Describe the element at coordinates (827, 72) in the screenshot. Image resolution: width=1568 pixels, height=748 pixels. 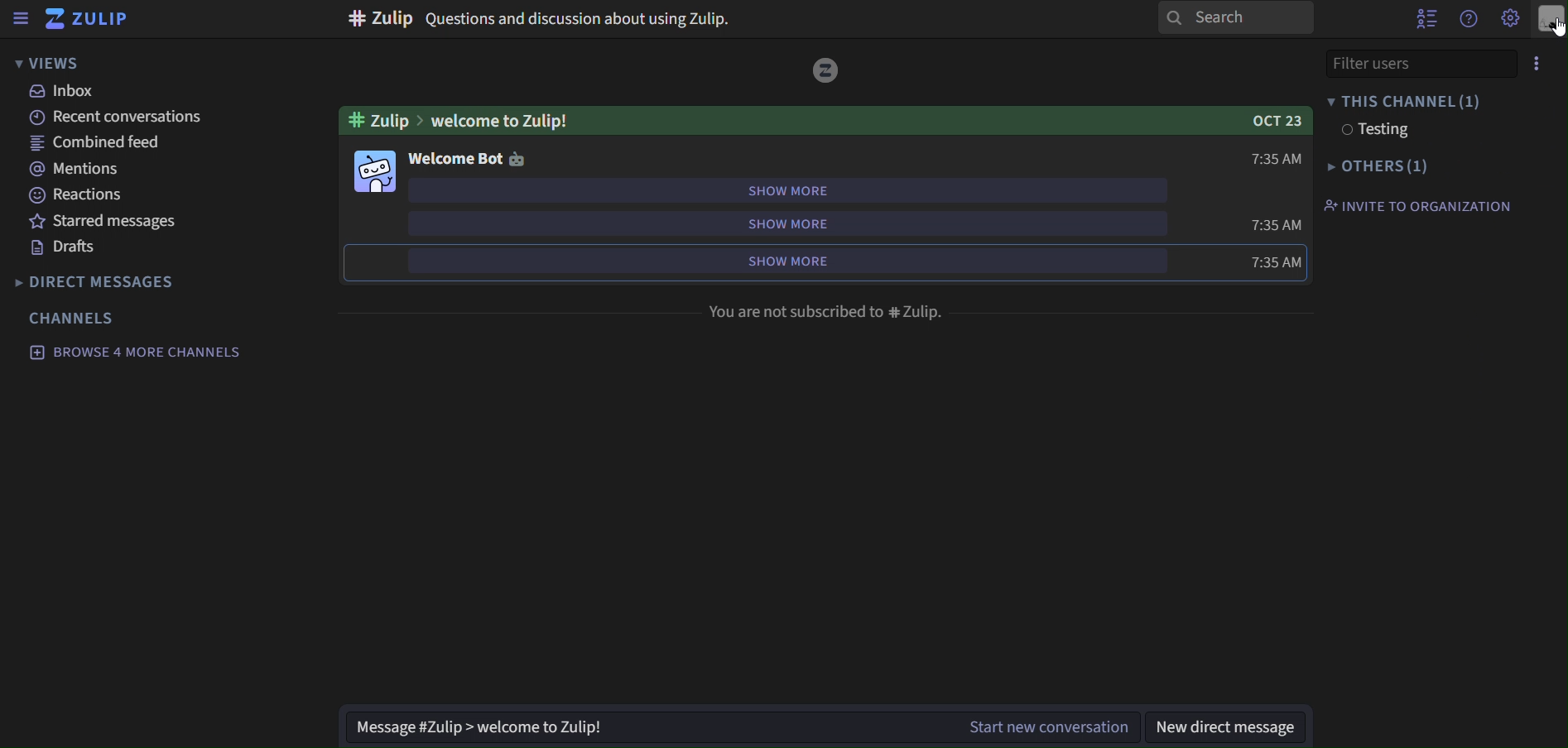
I see `image` at that location.